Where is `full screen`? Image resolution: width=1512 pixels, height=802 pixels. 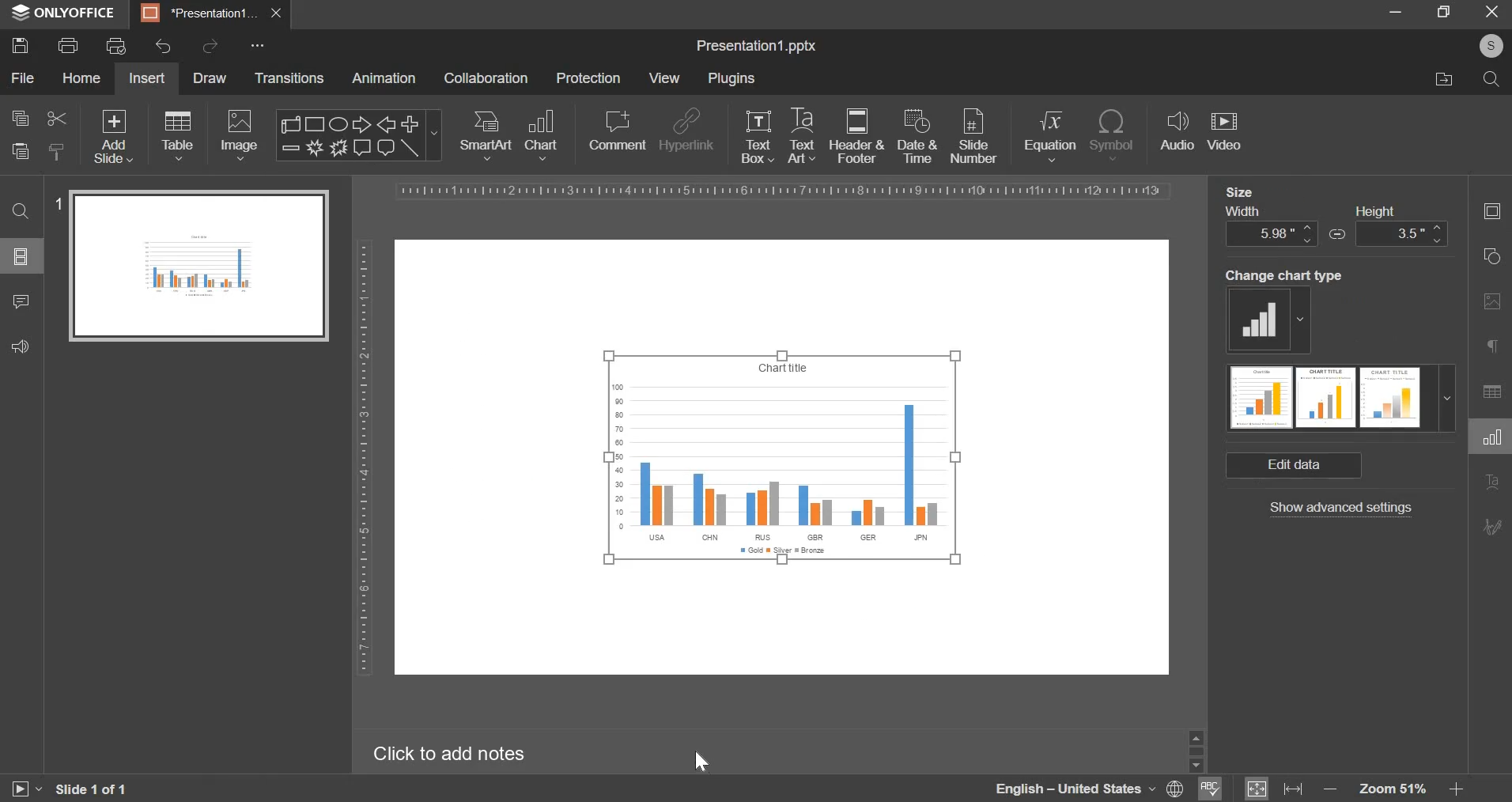
full screen is located at coordinates (1443, 11).